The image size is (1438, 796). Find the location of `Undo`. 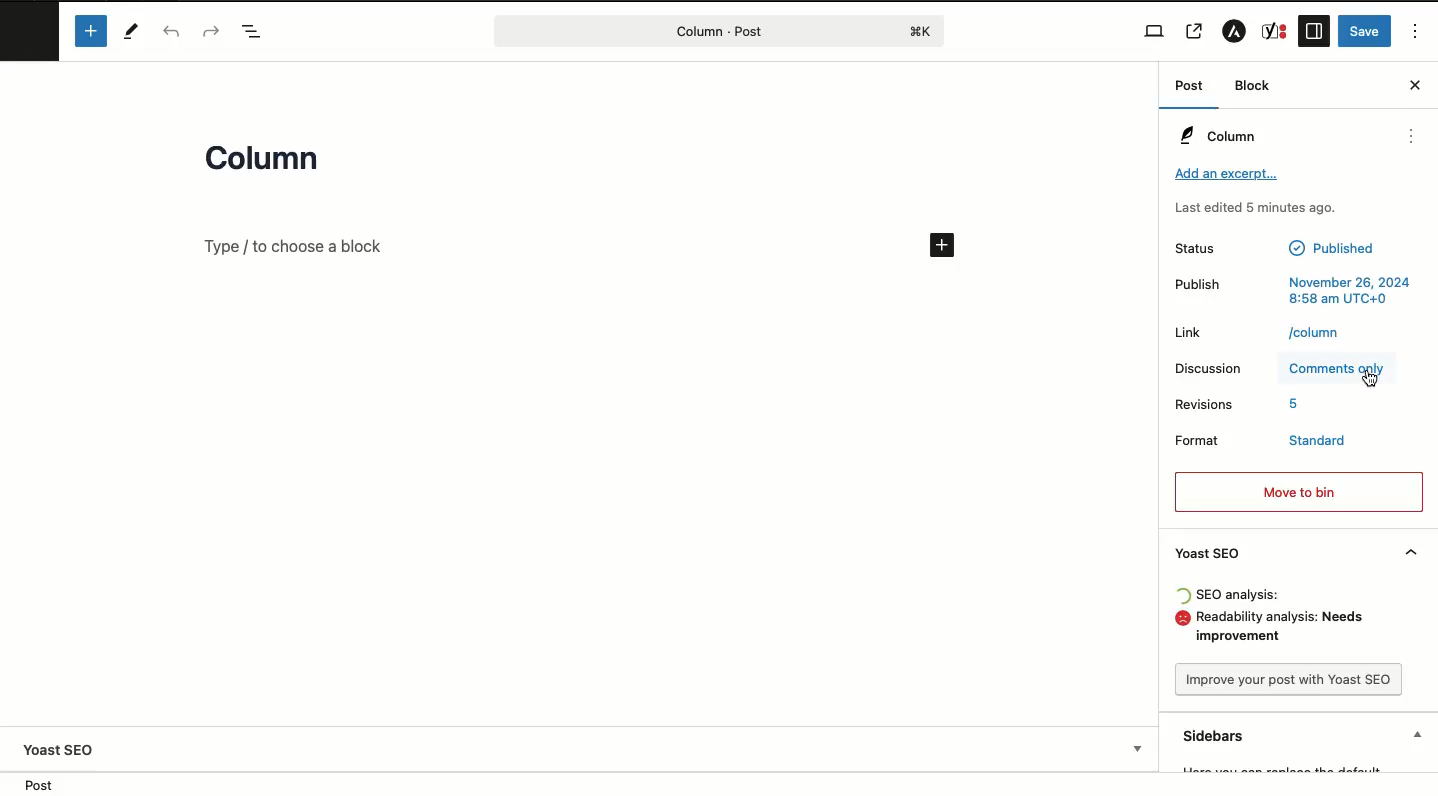

Undo is located at coordinates (172, 33).